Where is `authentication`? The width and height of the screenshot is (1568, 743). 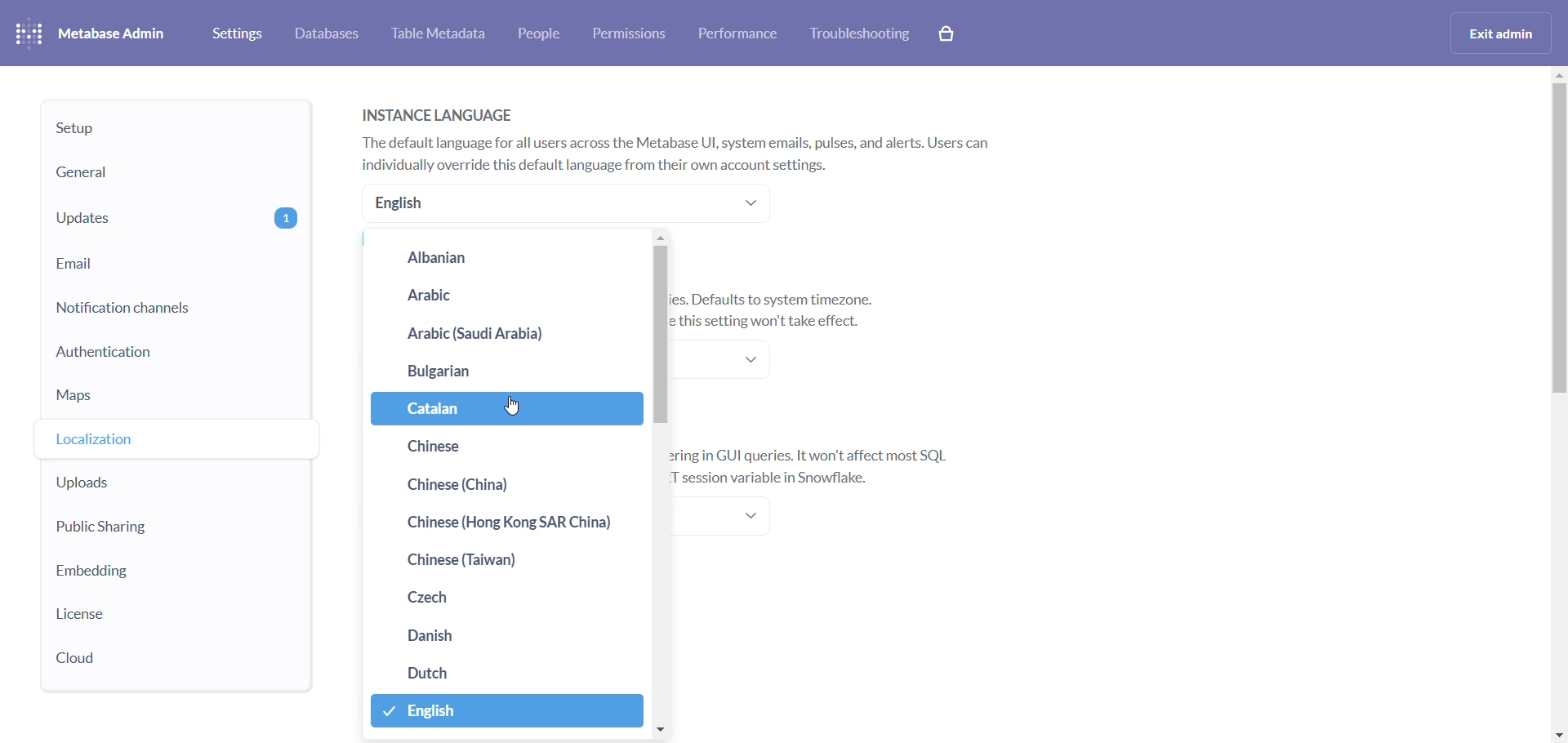 authentication is located at coordinates (169, 354).